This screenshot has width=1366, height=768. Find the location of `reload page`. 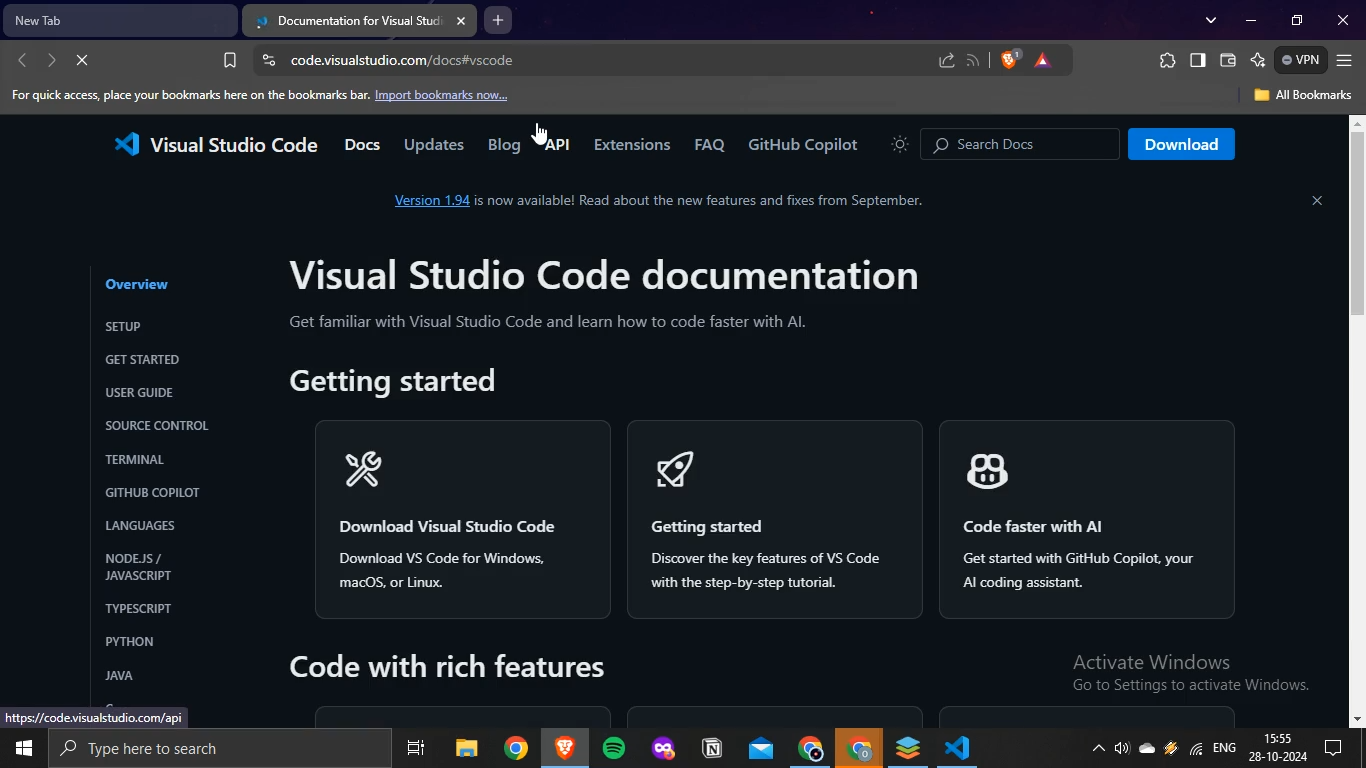

reload page is located at coordinates (83, 58).